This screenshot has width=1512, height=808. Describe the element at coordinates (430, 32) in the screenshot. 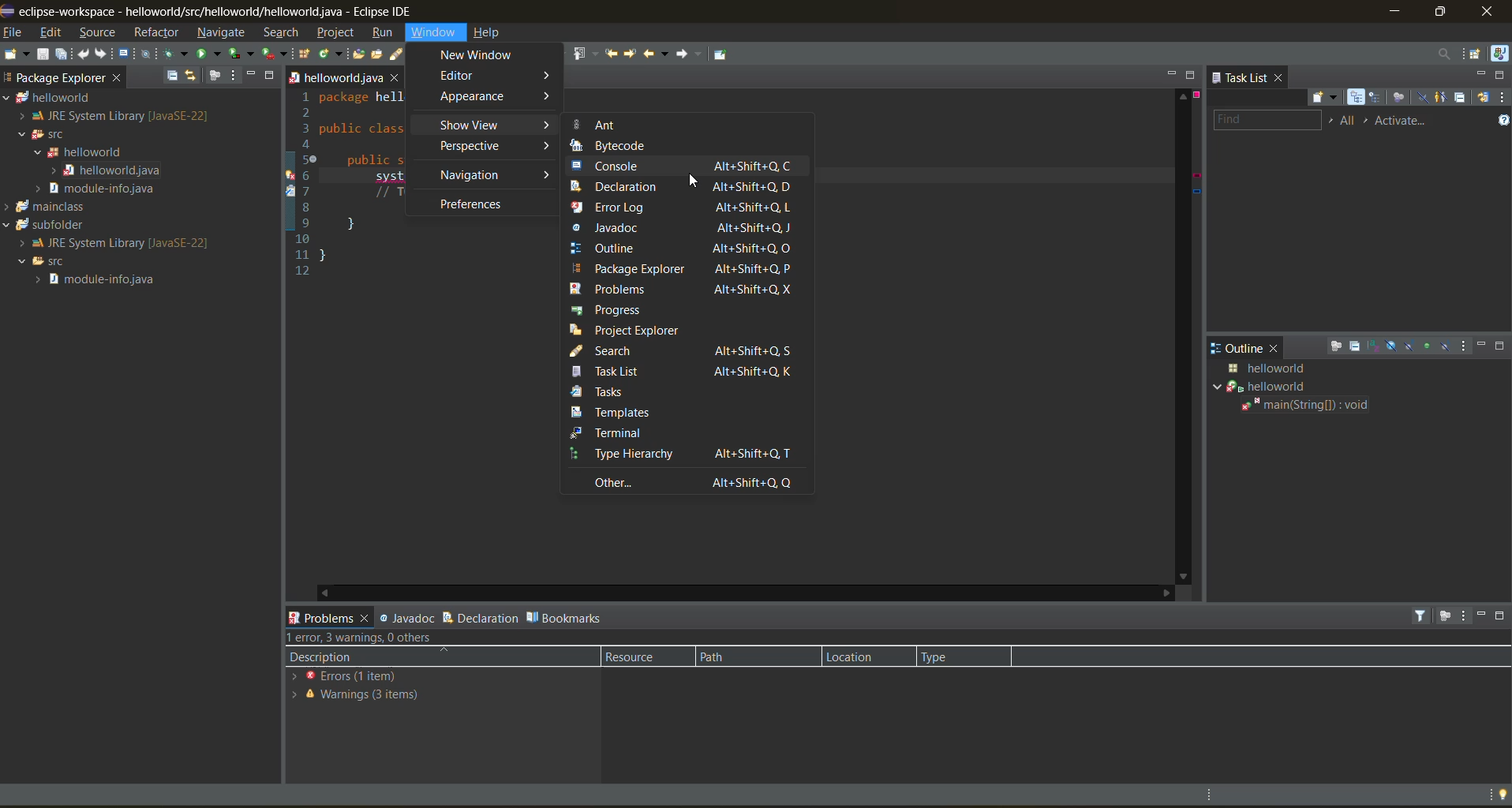

I see `window` at that location.